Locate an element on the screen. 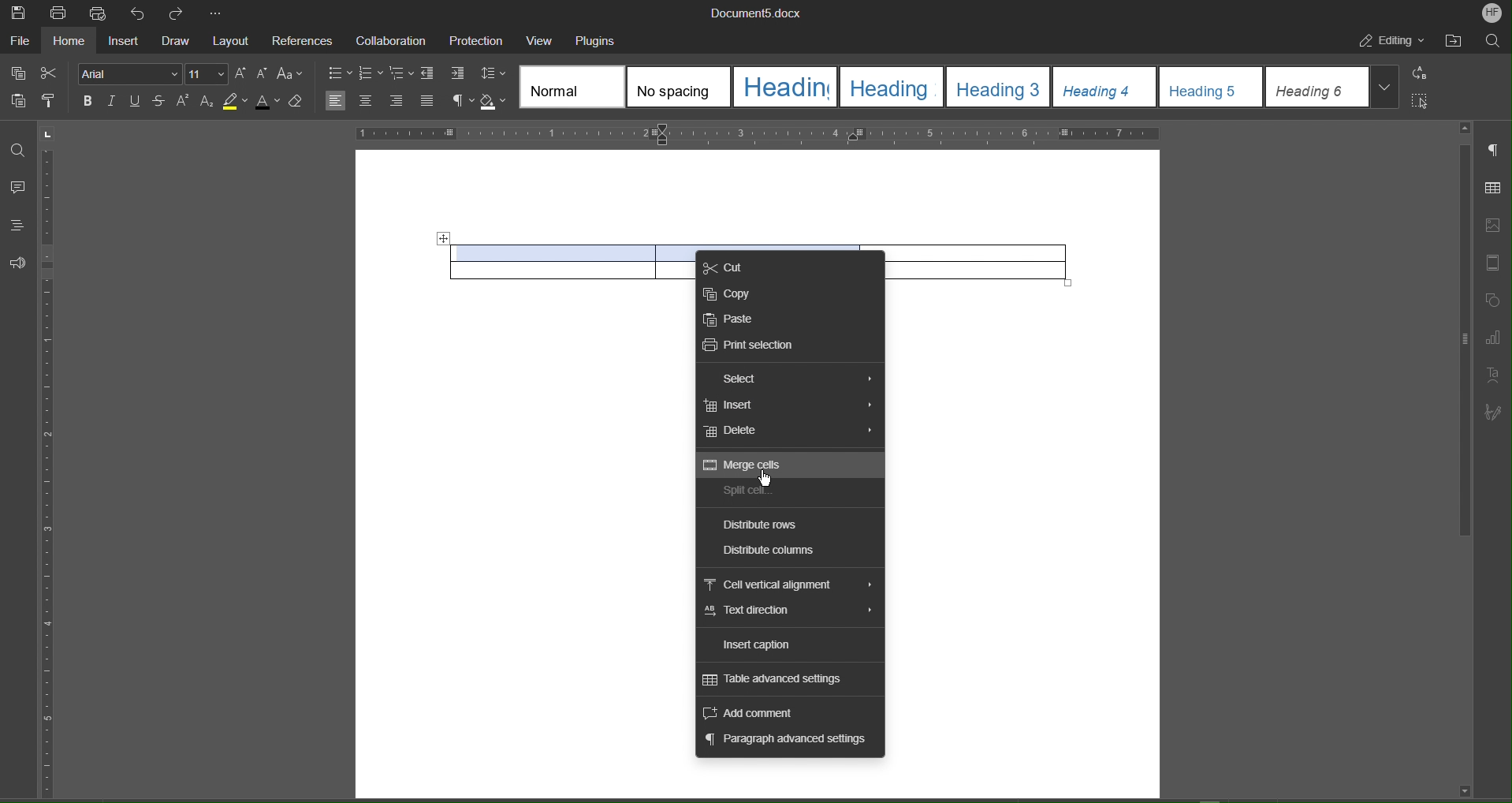 The width and height of the screenshot is (1512, 803). Image Settings is located at coordinates (1495, 221).